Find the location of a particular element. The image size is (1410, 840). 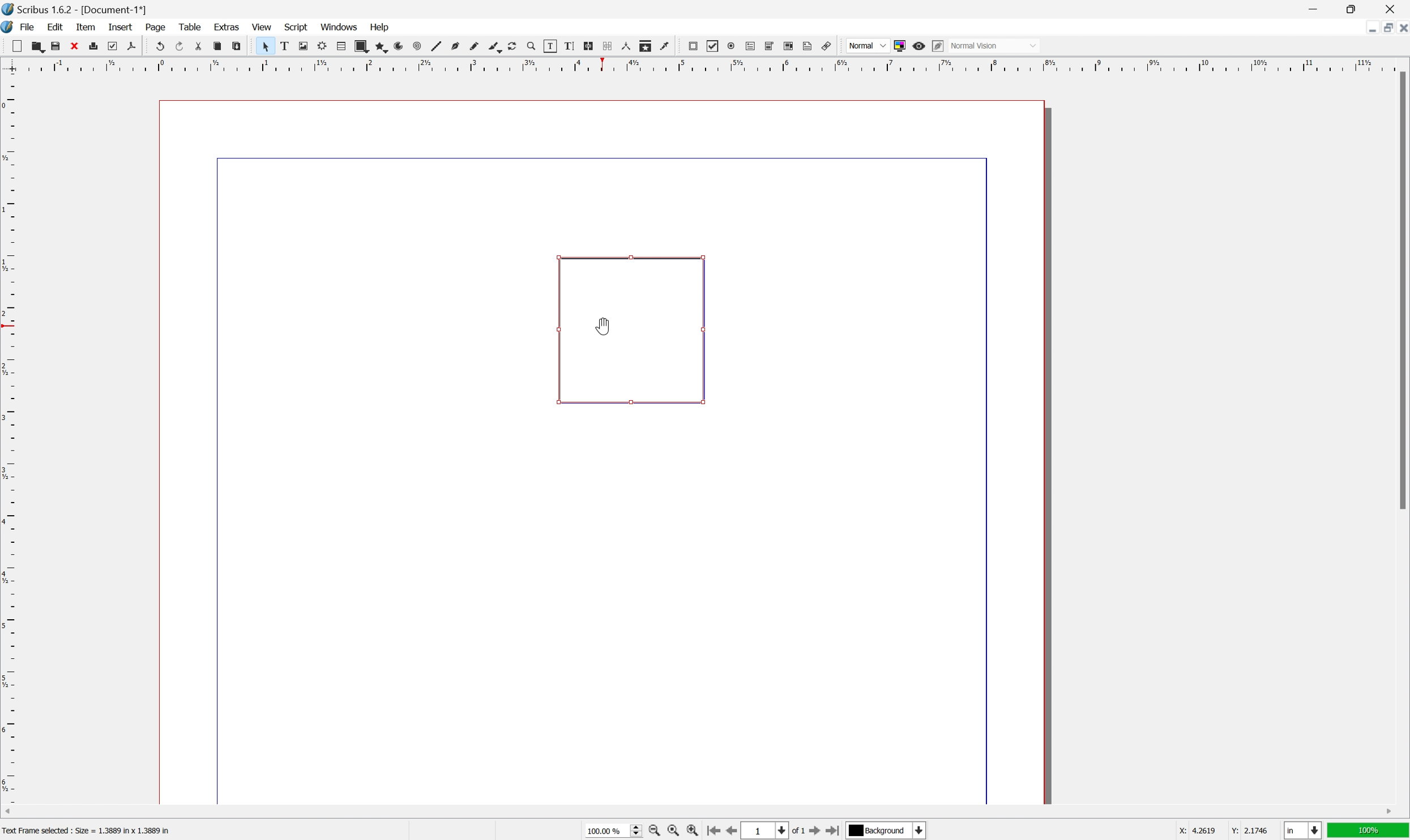

cut is located at coordinates (199, 46).